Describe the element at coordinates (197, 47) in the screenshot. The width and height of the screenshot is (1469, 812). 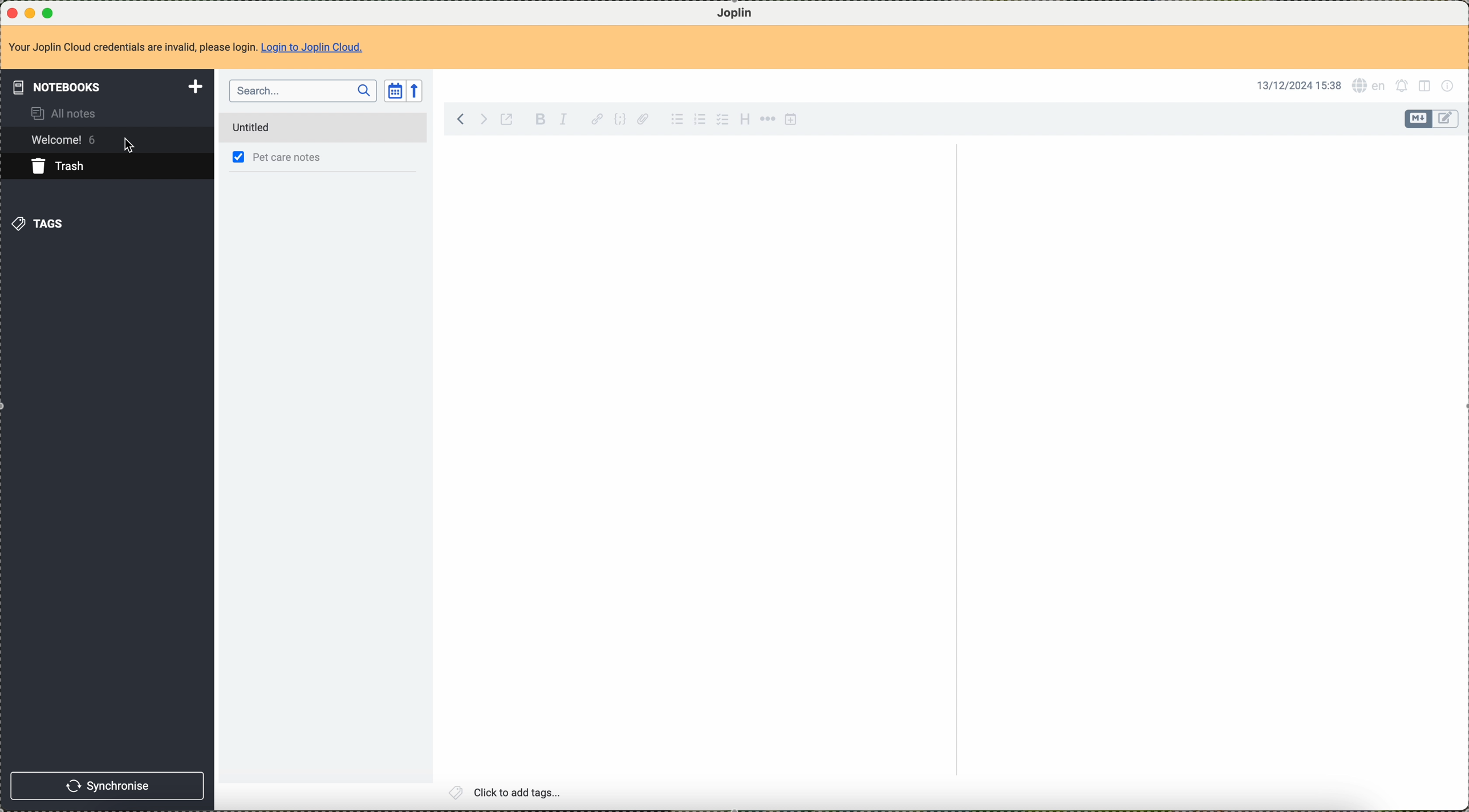
I see `Your Joplin Cloud credentials are invalid, please login. Login to Joplin Cloud.` at that location.